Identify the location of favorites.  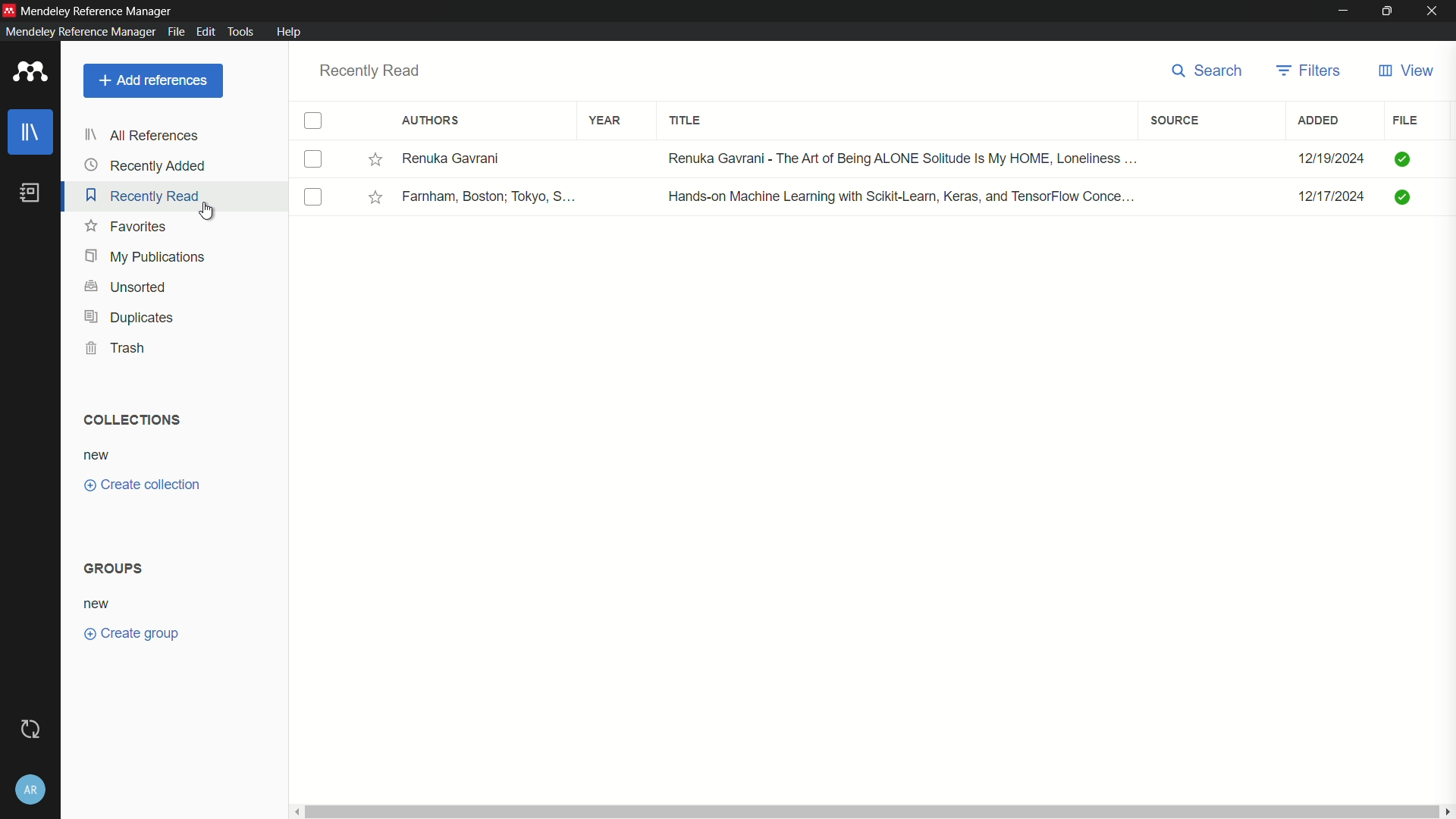
(127, 227).